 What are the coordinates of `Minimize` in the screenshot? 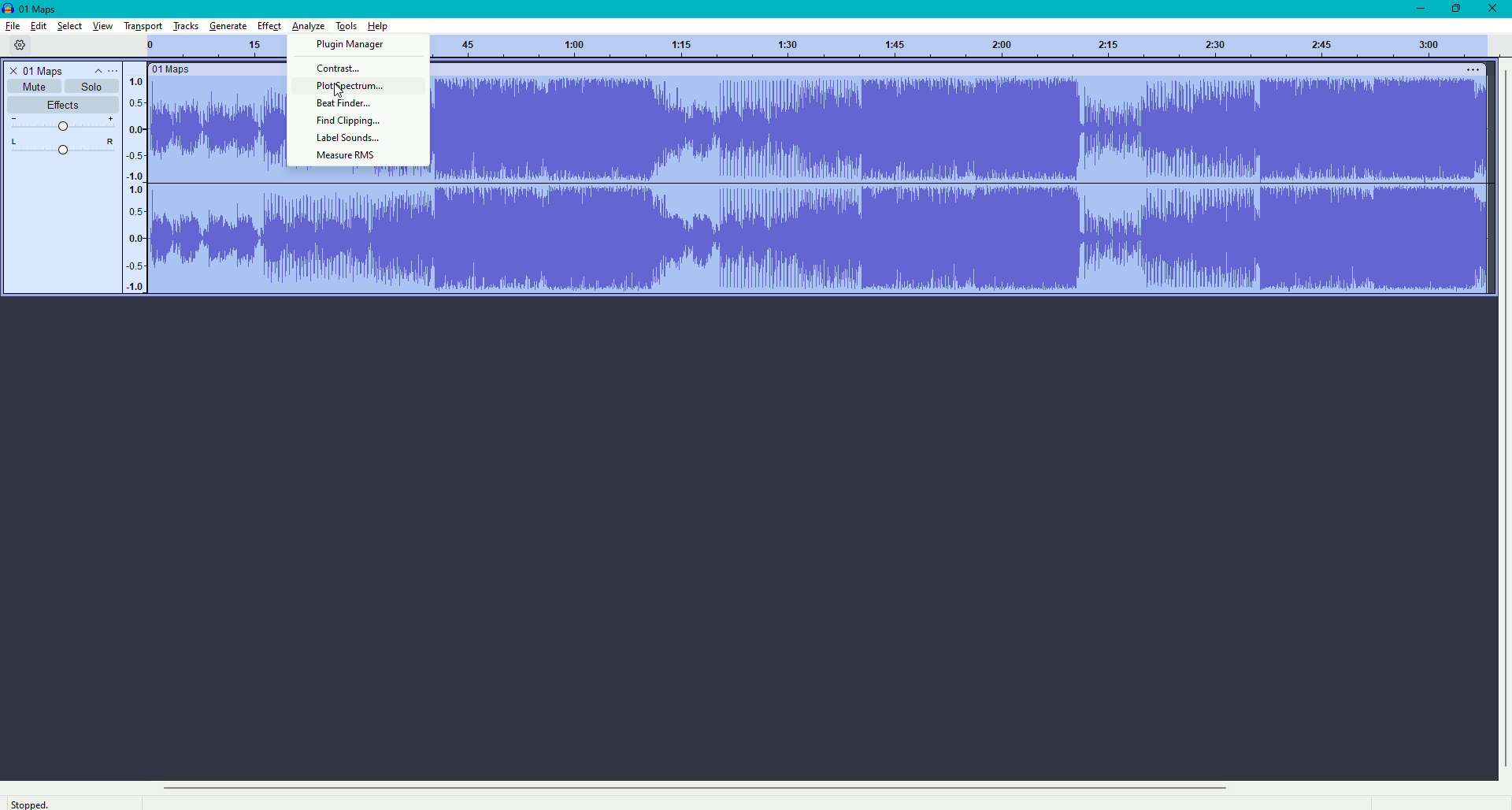 It's located at (1418, 9).